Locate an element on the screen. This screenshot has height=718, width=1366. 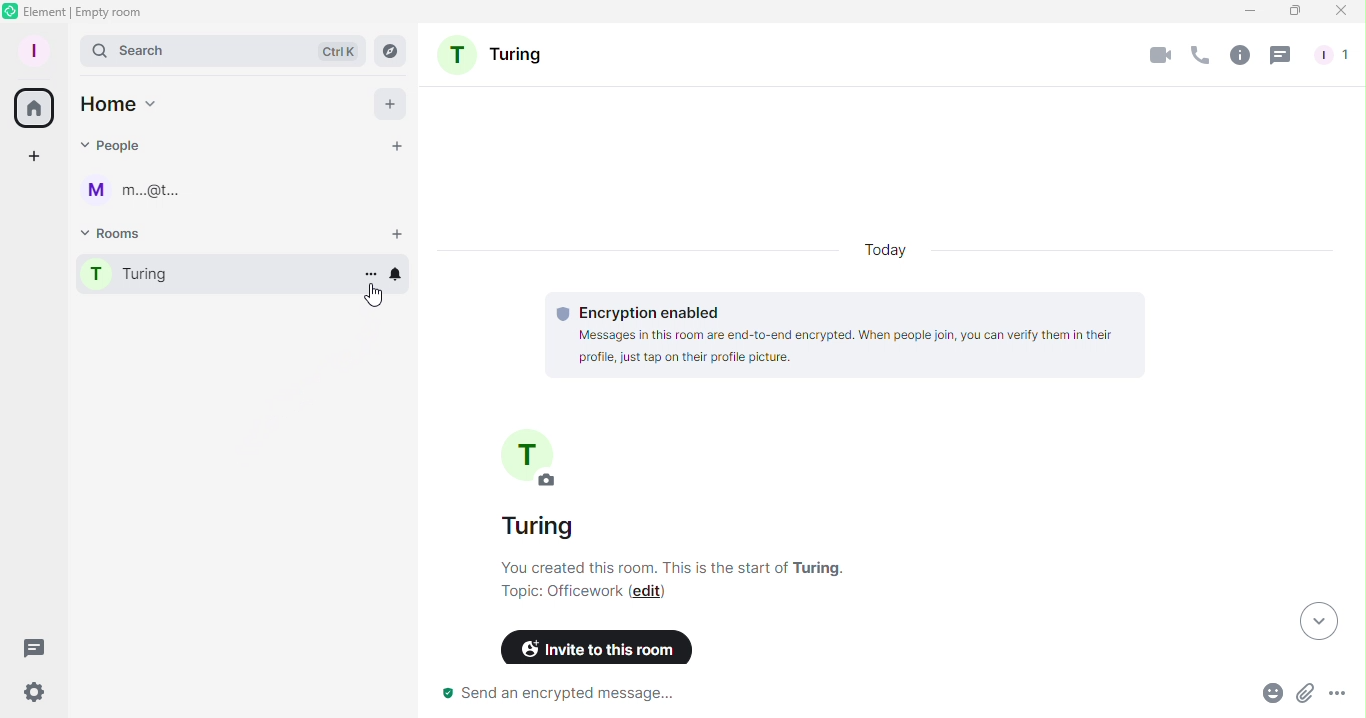
Calls is located at coordinates (1196, 59).